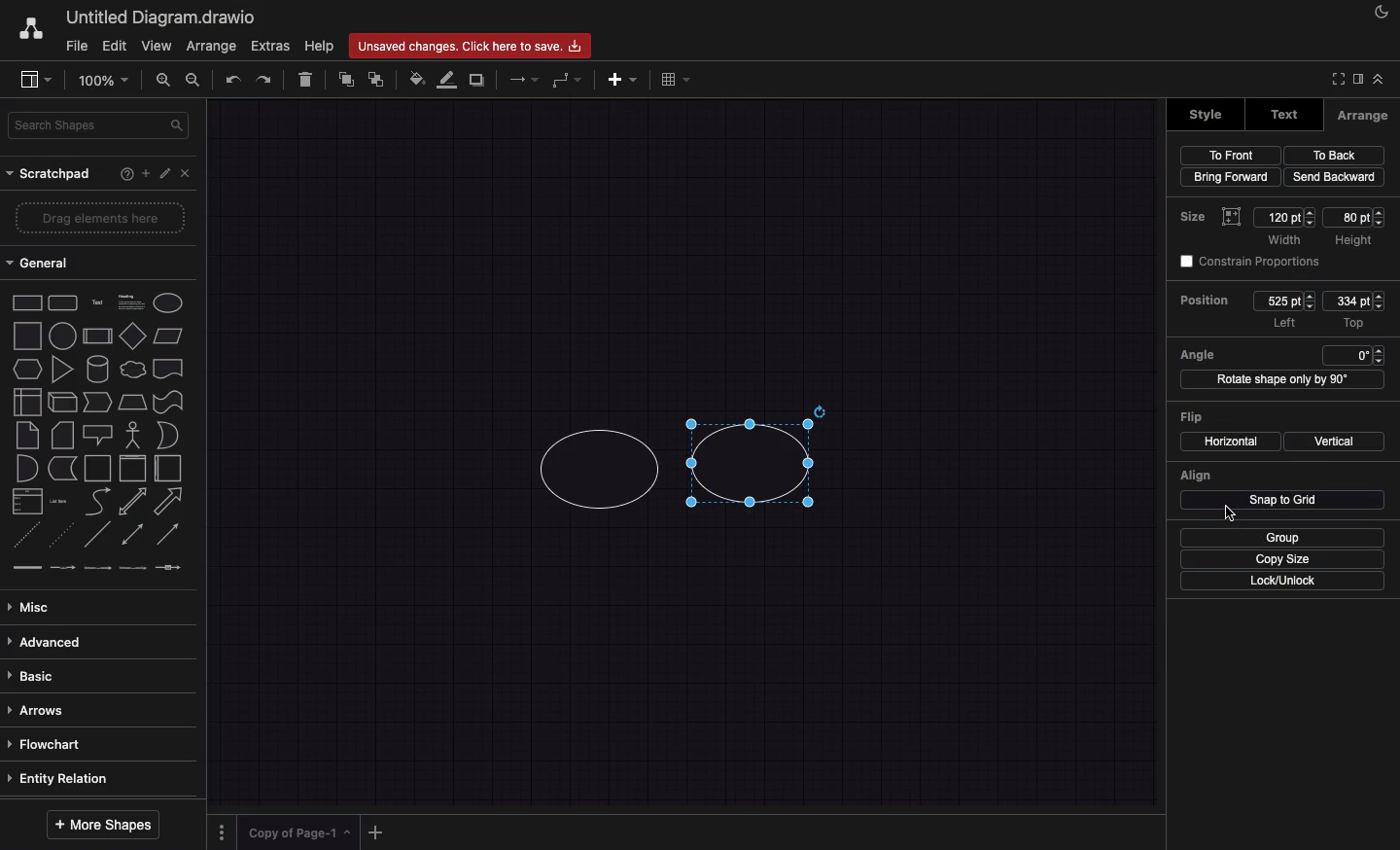  What do you see at coordinates (126, 173) in the screenshot?
I see `help` at bounding box center [126, 173].